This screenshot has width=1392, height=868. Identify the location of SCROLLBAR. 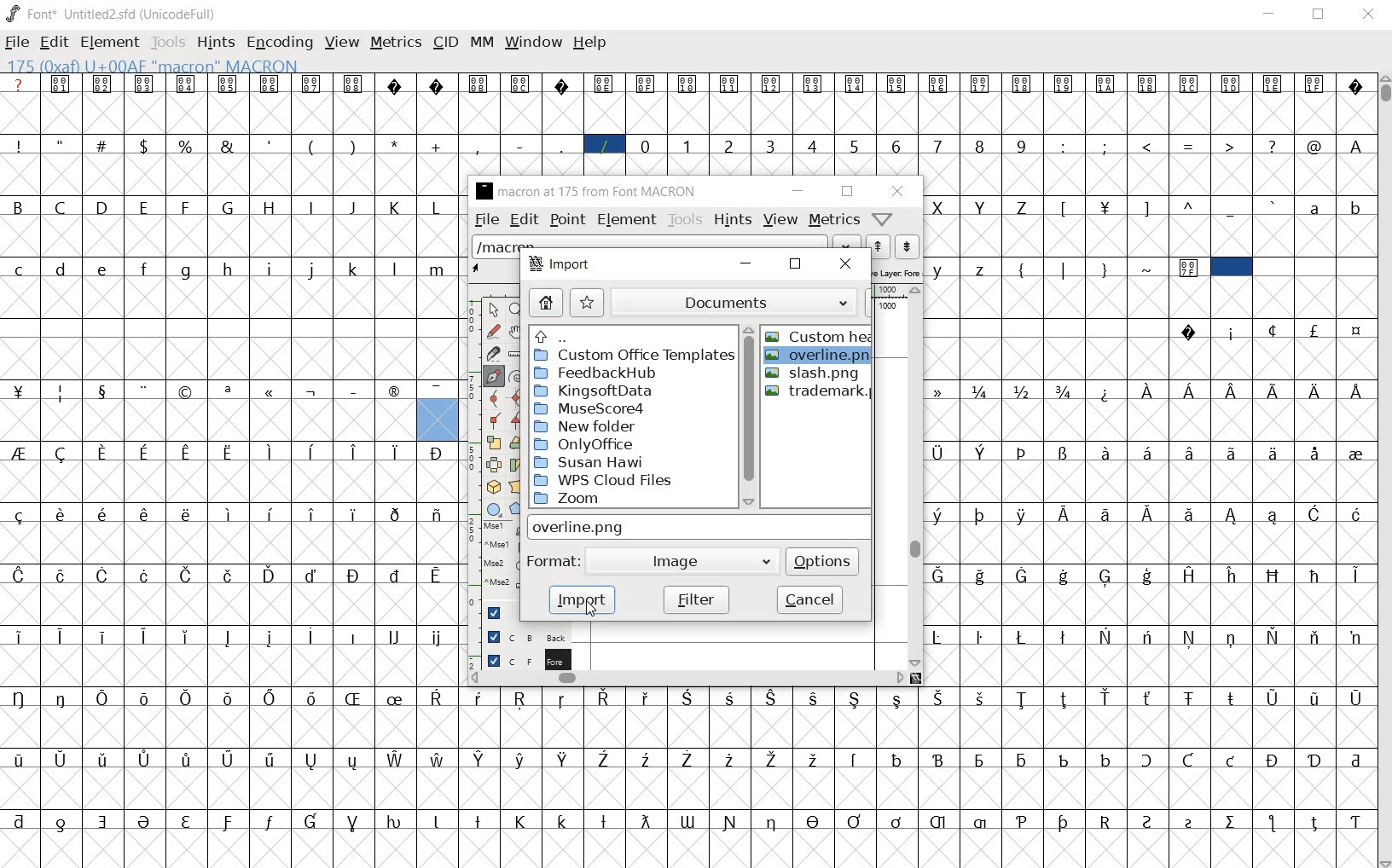
(1383, 472).